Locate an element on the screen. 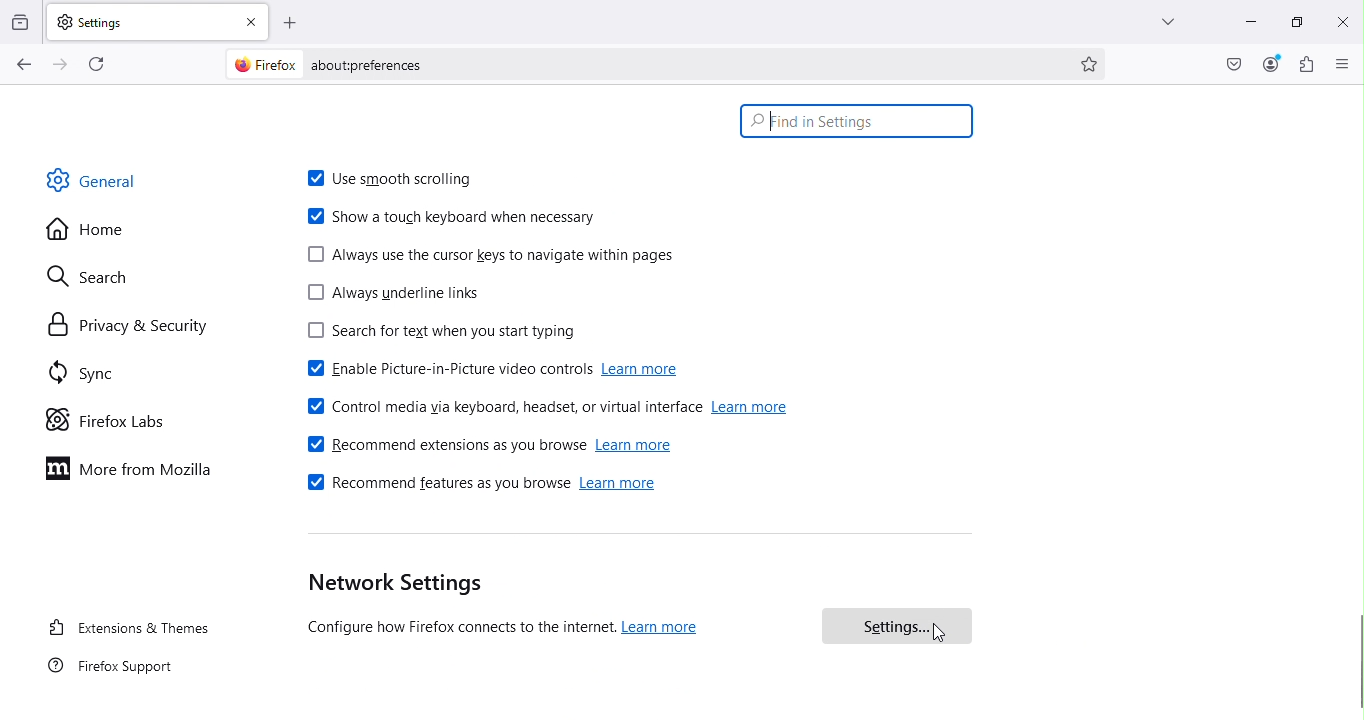  typing cursor is located at coordinates (769, 127).